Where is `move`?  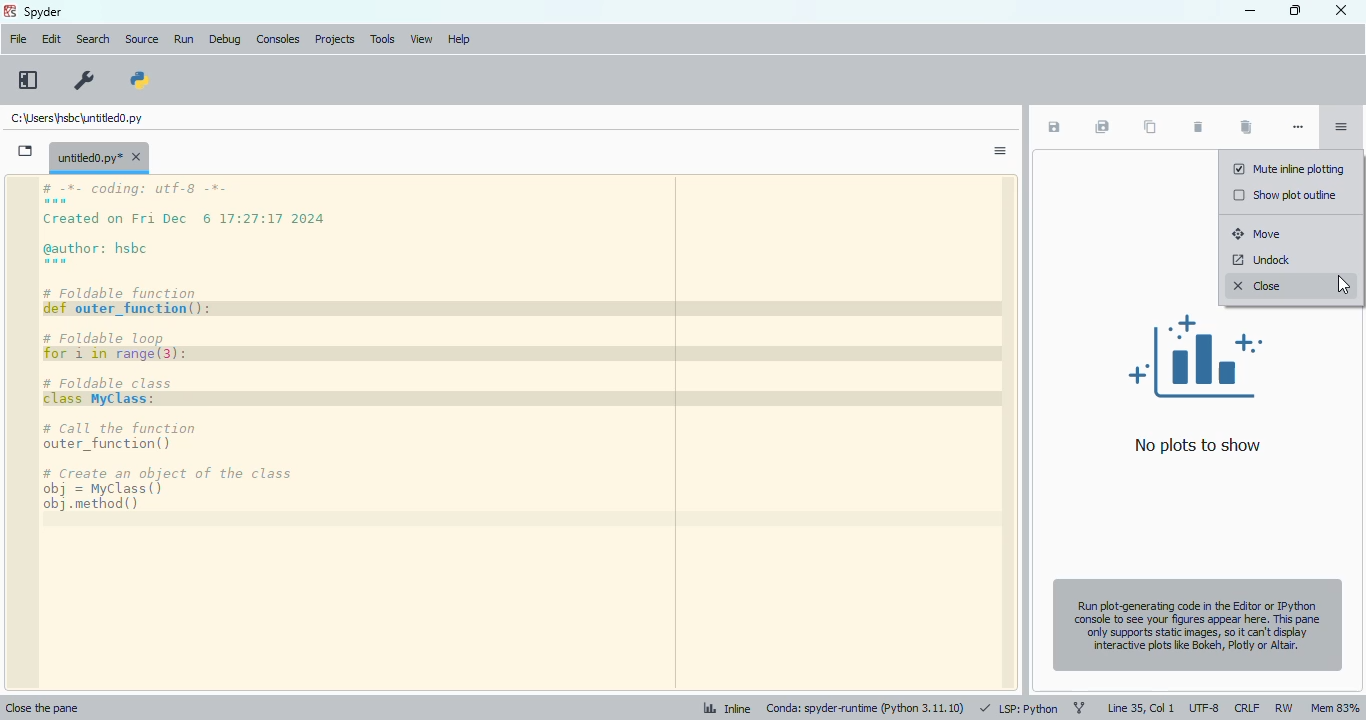
move is located at coordinates (1258, 233).